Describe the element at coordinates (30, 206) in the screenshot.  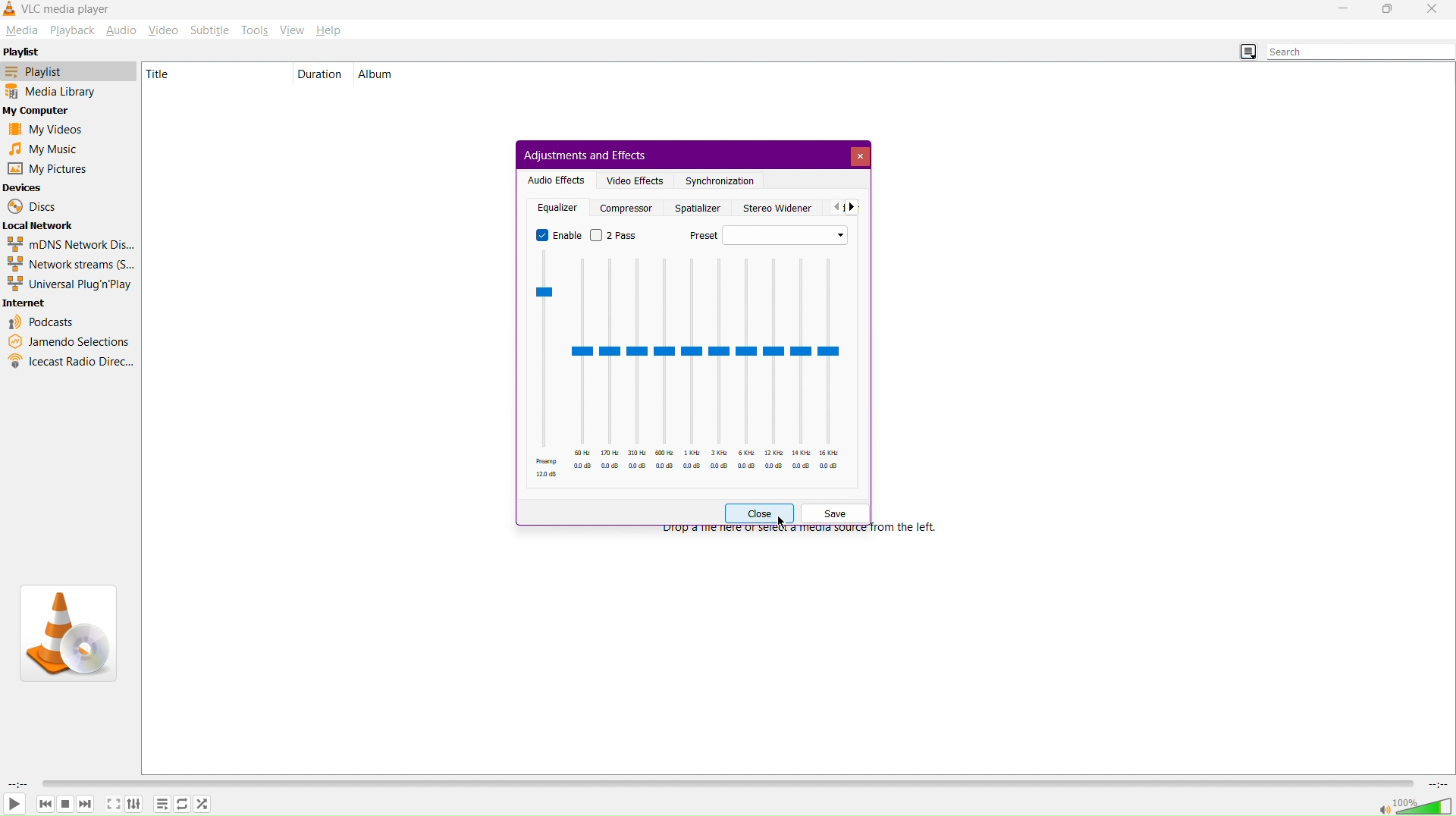
I see `Discs` at that location.